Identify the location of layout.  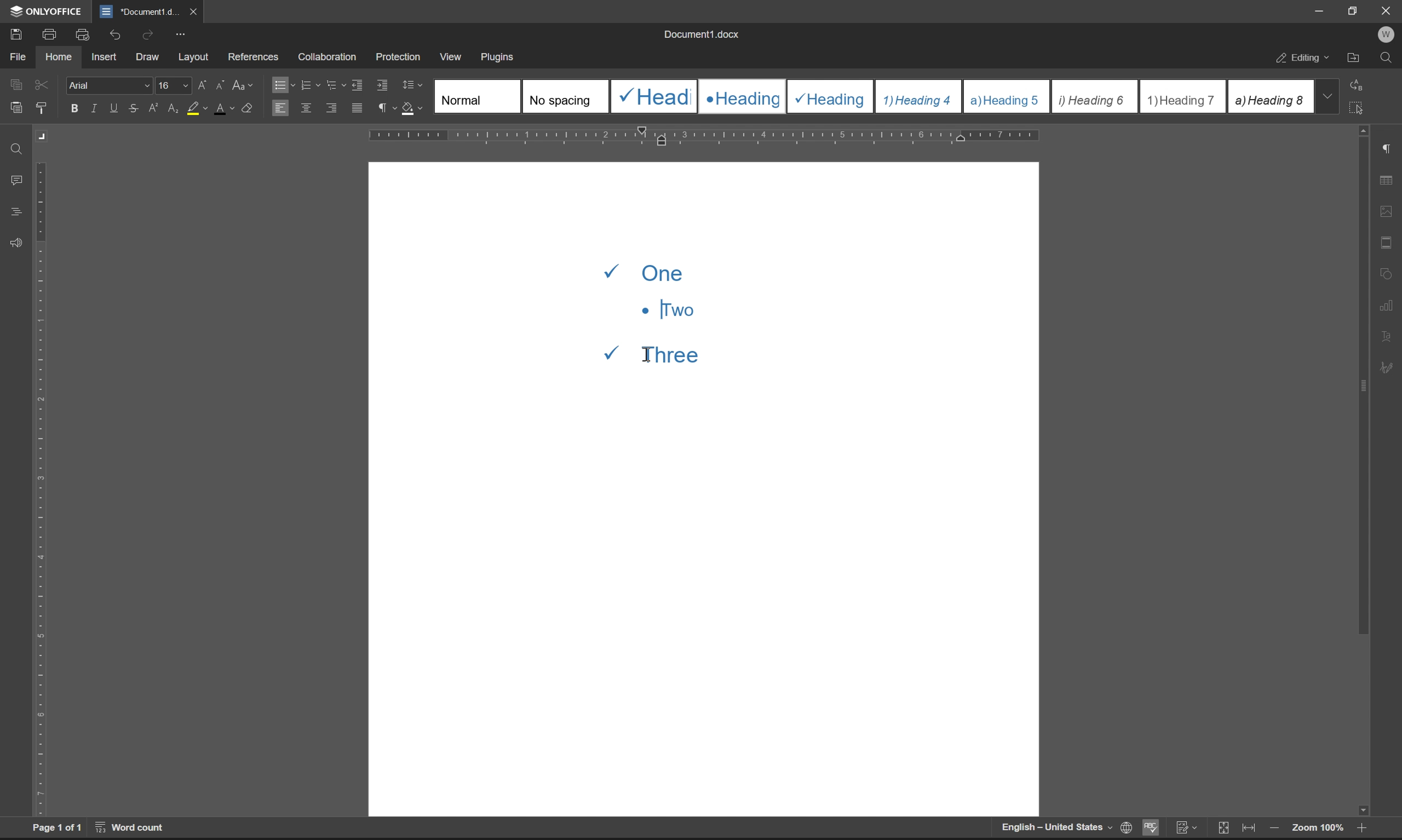
(194, 57).